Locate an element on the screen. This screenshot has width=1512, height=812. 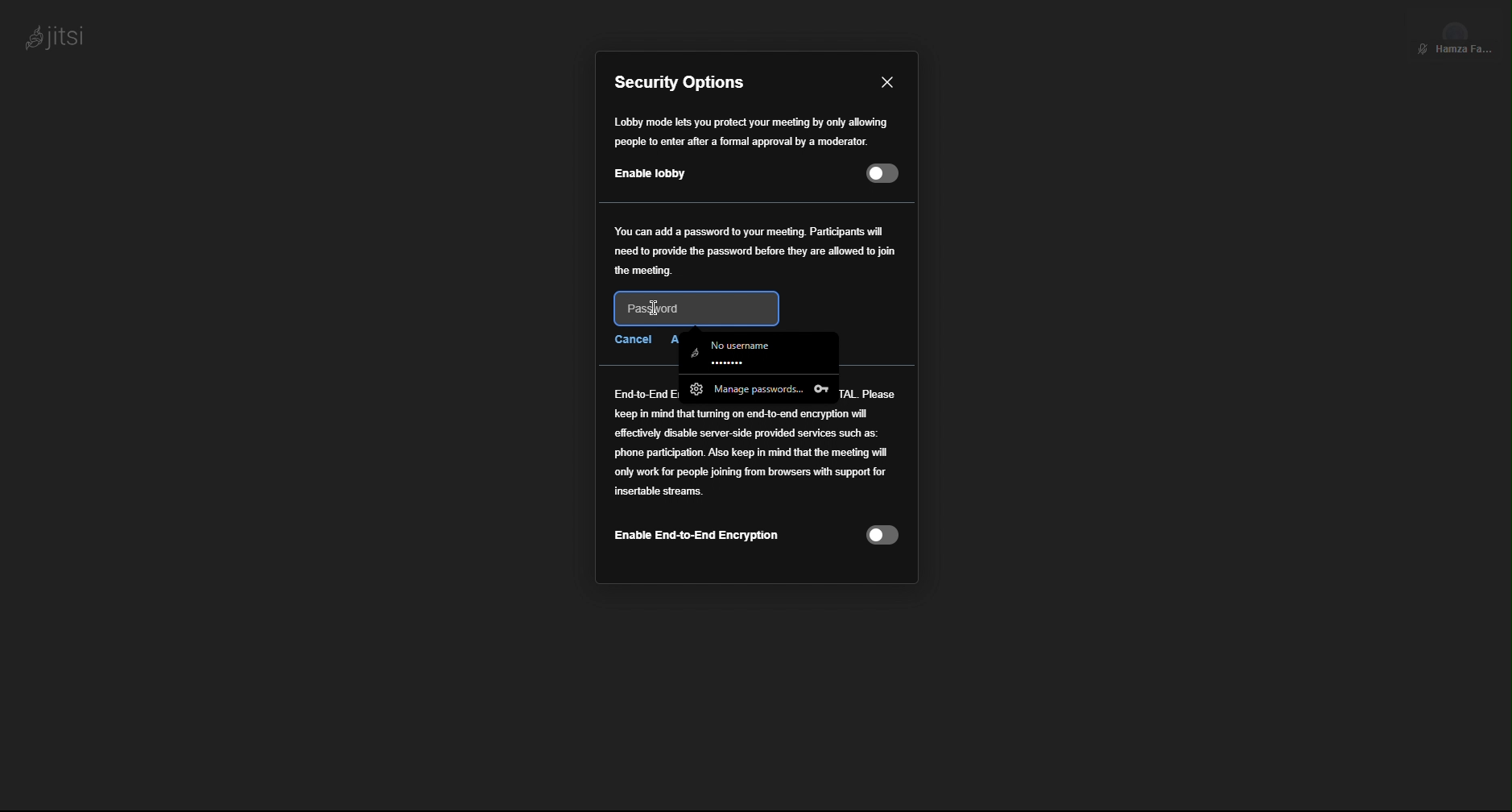
Participant View is located at coordinates (1456, 34).